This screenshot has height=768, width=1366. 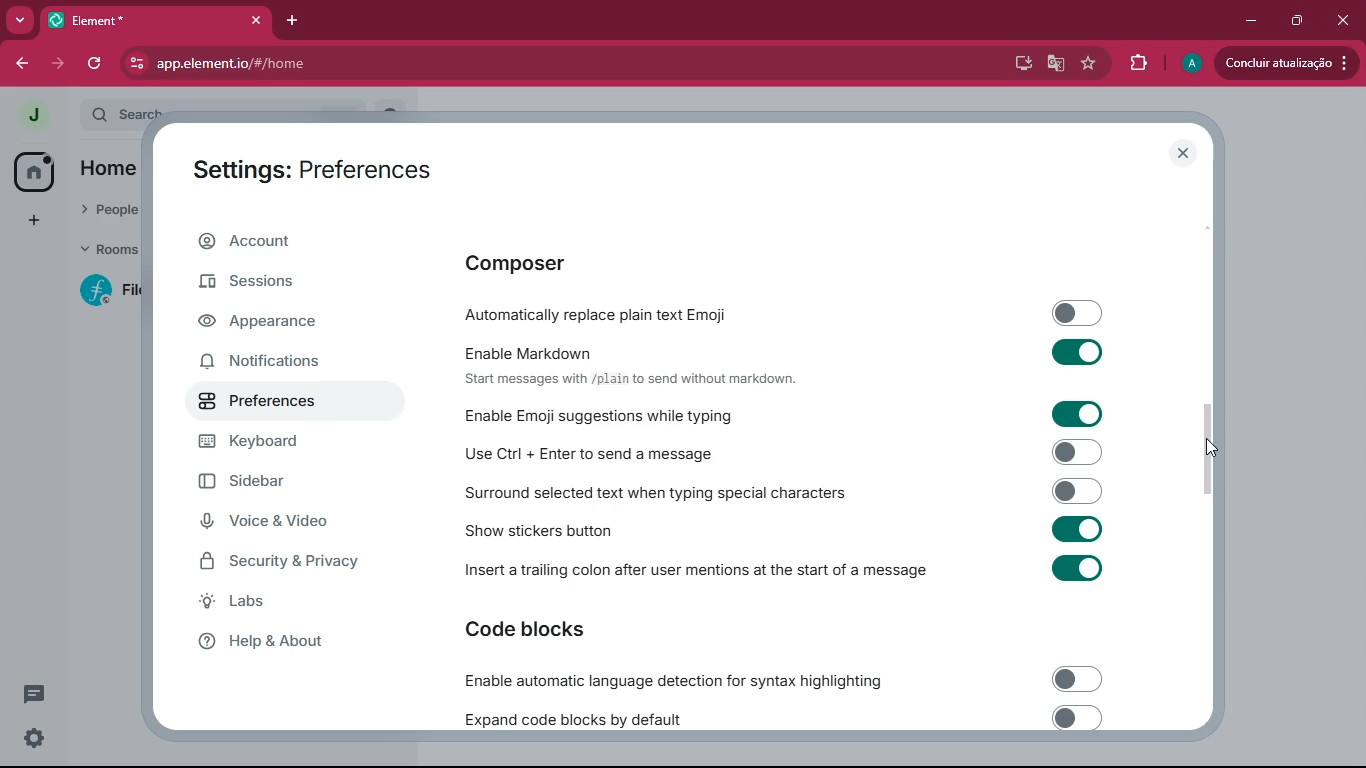 What do you see at coordinates (789, 527) in the screenshot?
I see `show stickers button` at bounding box center [789, 527].